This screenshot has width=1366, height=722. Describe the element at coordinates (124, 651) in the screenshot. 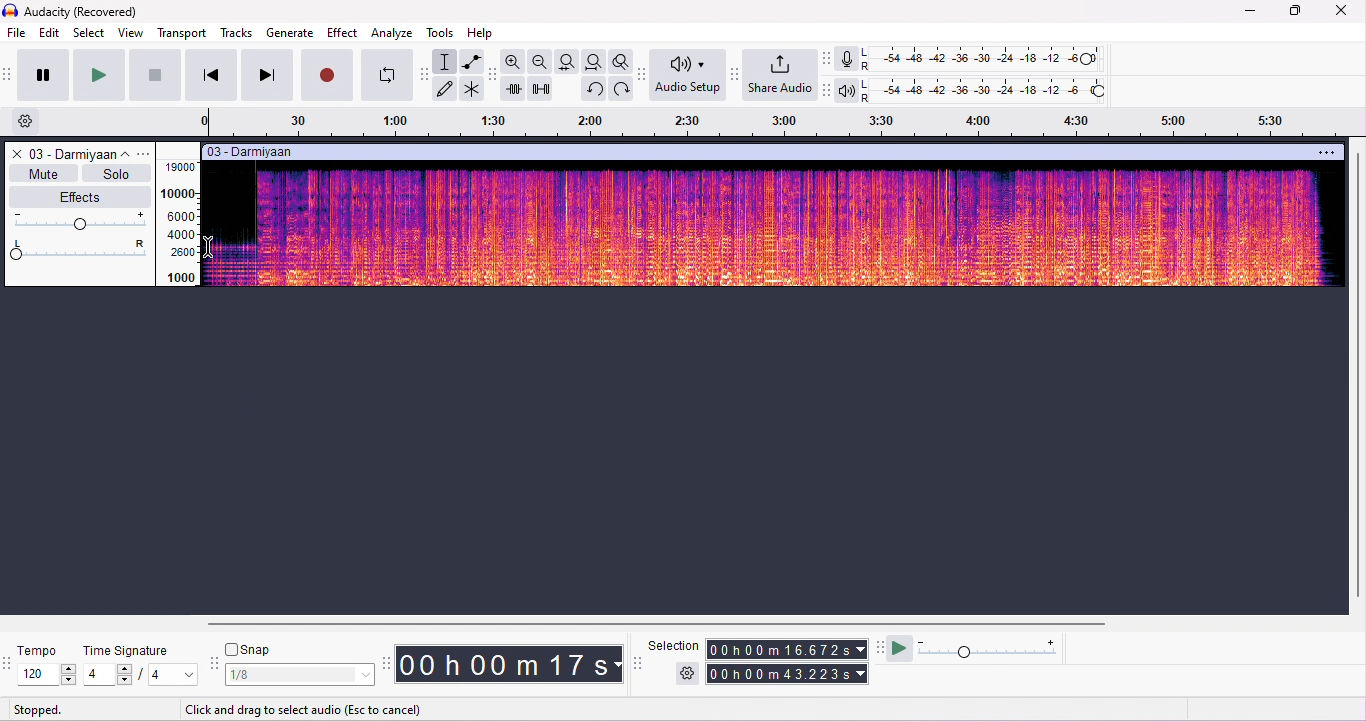

I see `time signature` at that location.